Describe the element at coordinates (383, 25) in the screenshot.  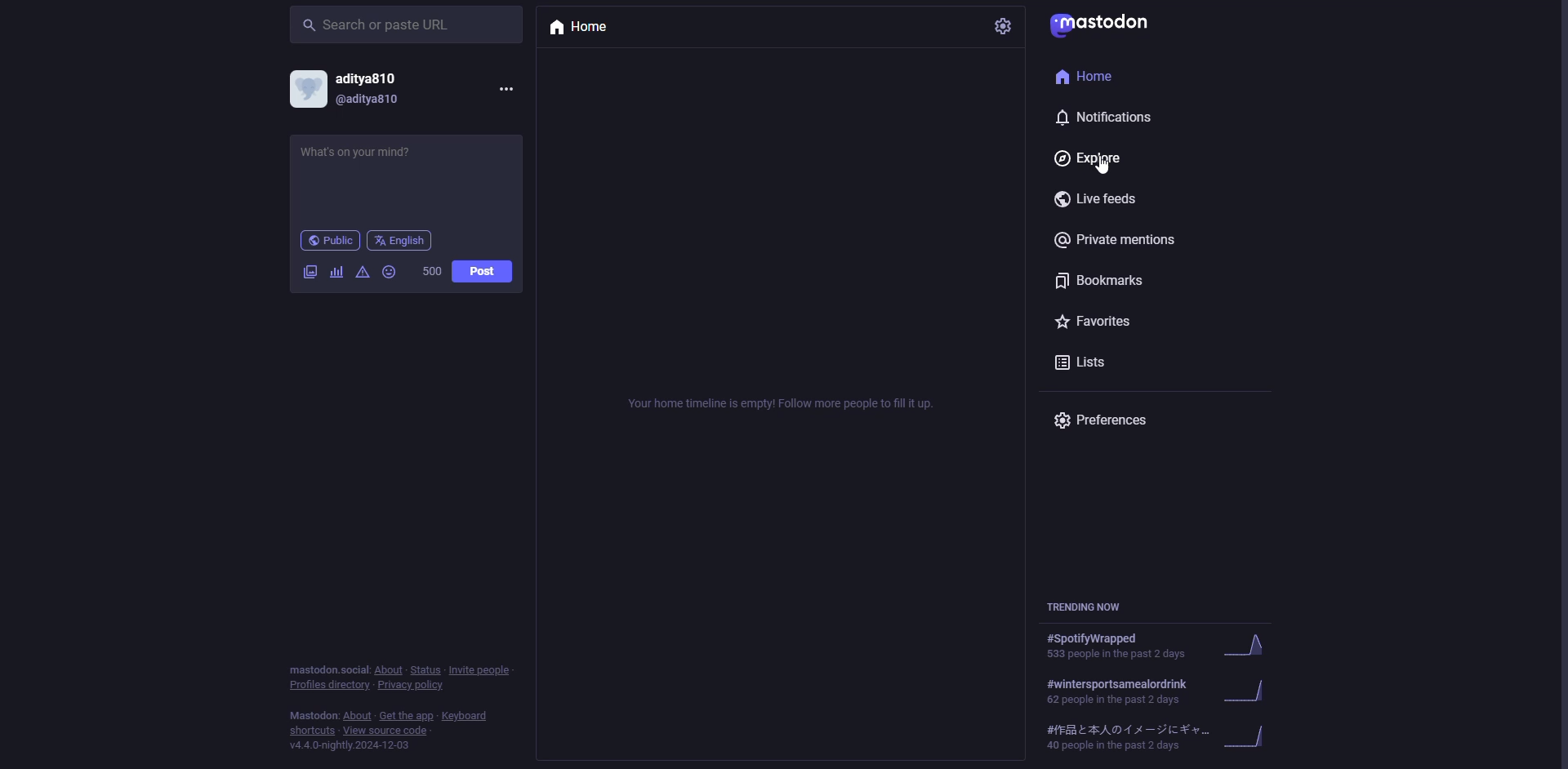
I see `search` at that location.